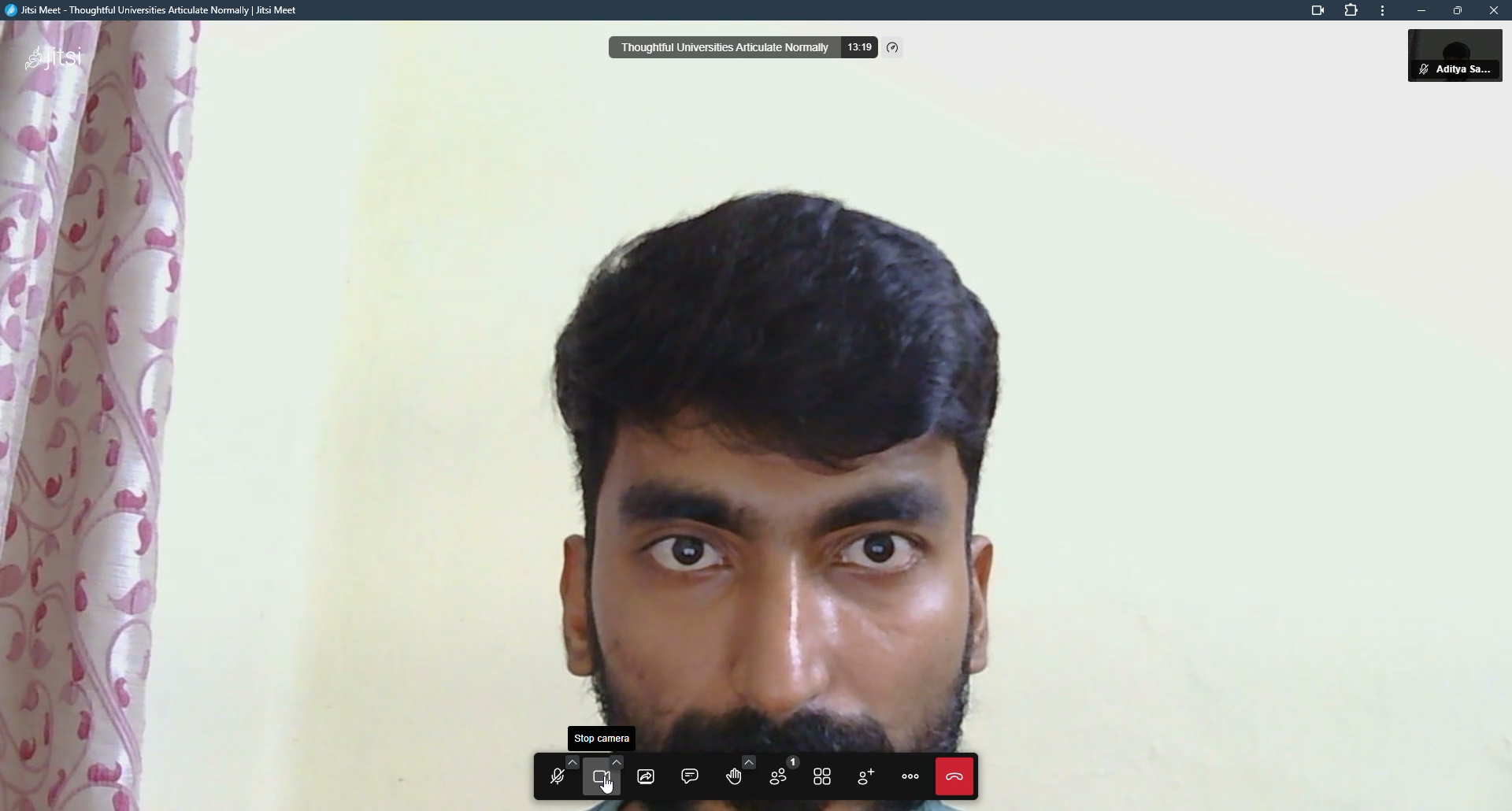 The image size is (1512, 811). What do you see at coordinates (1492, 10) in the screenshot?
I see `close` at bounding box center [1492, 10].